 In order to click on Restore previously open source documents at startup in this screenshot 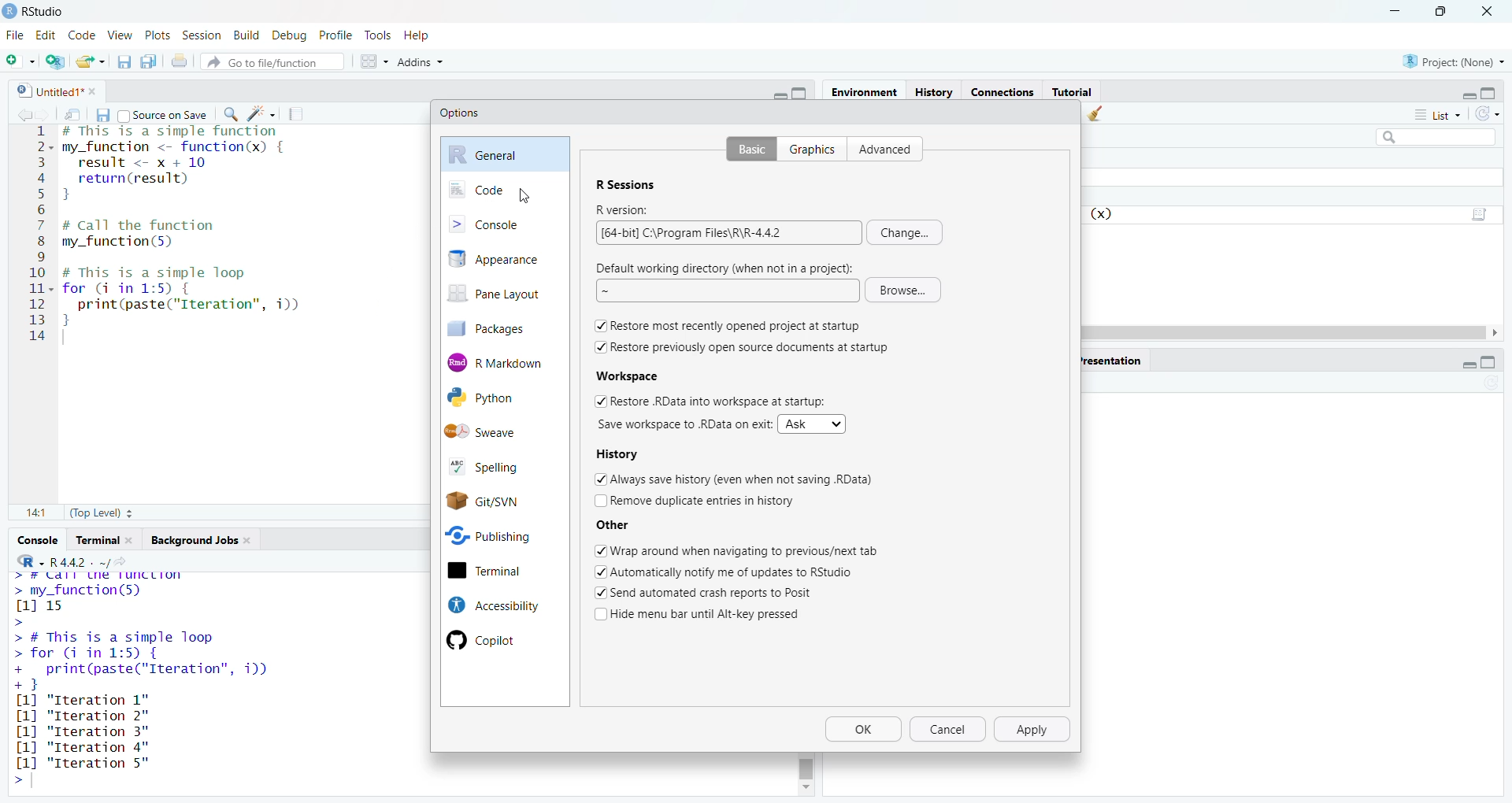, I will do `click(743, 347)`.